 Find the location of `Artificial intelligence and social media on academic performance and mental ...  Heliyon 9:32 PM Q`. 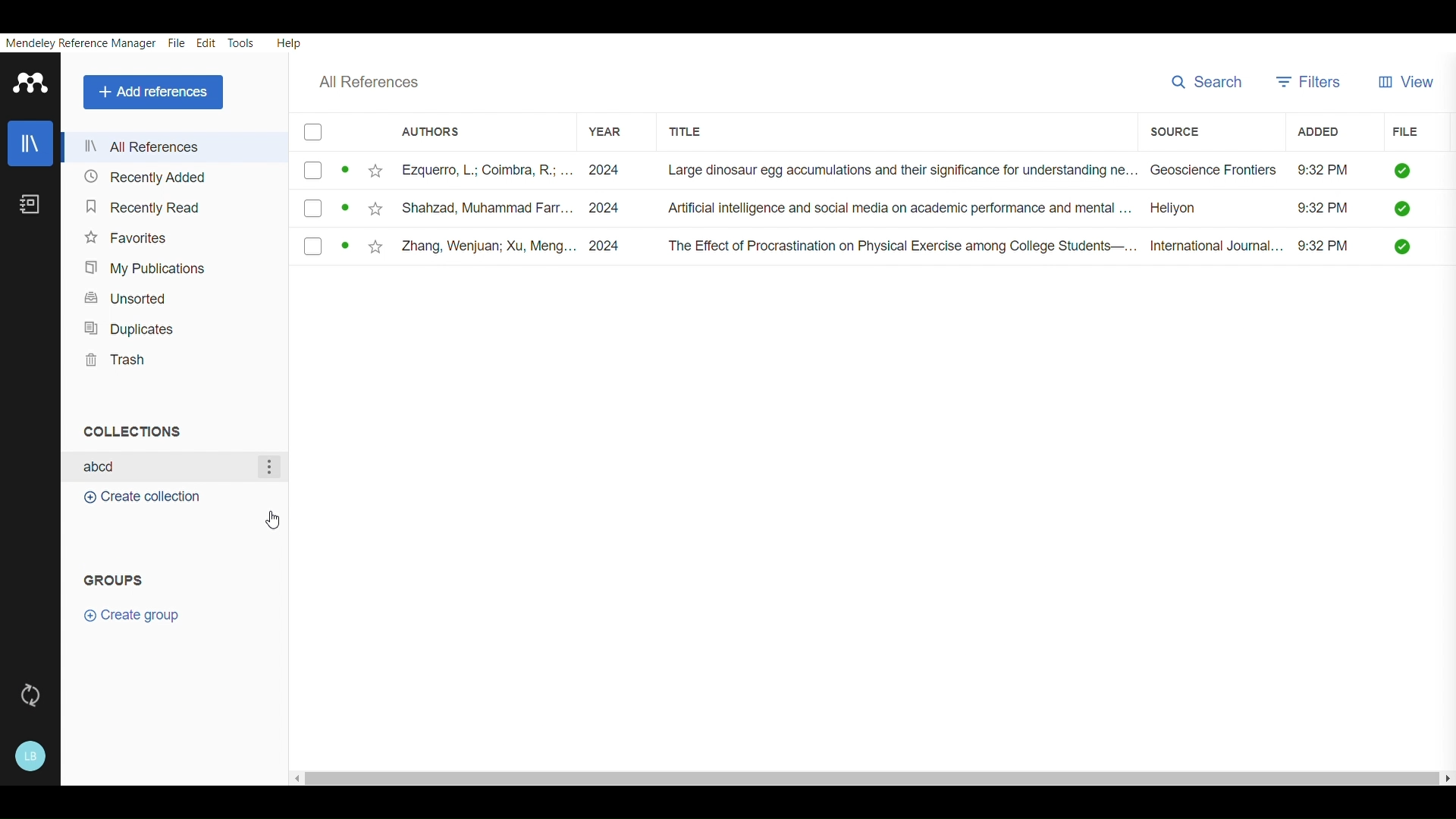

Artificial intelligence and social media on academic performance and mental ...  Heliyon 9:32 PM Q is located at coordinates (1034, 211).